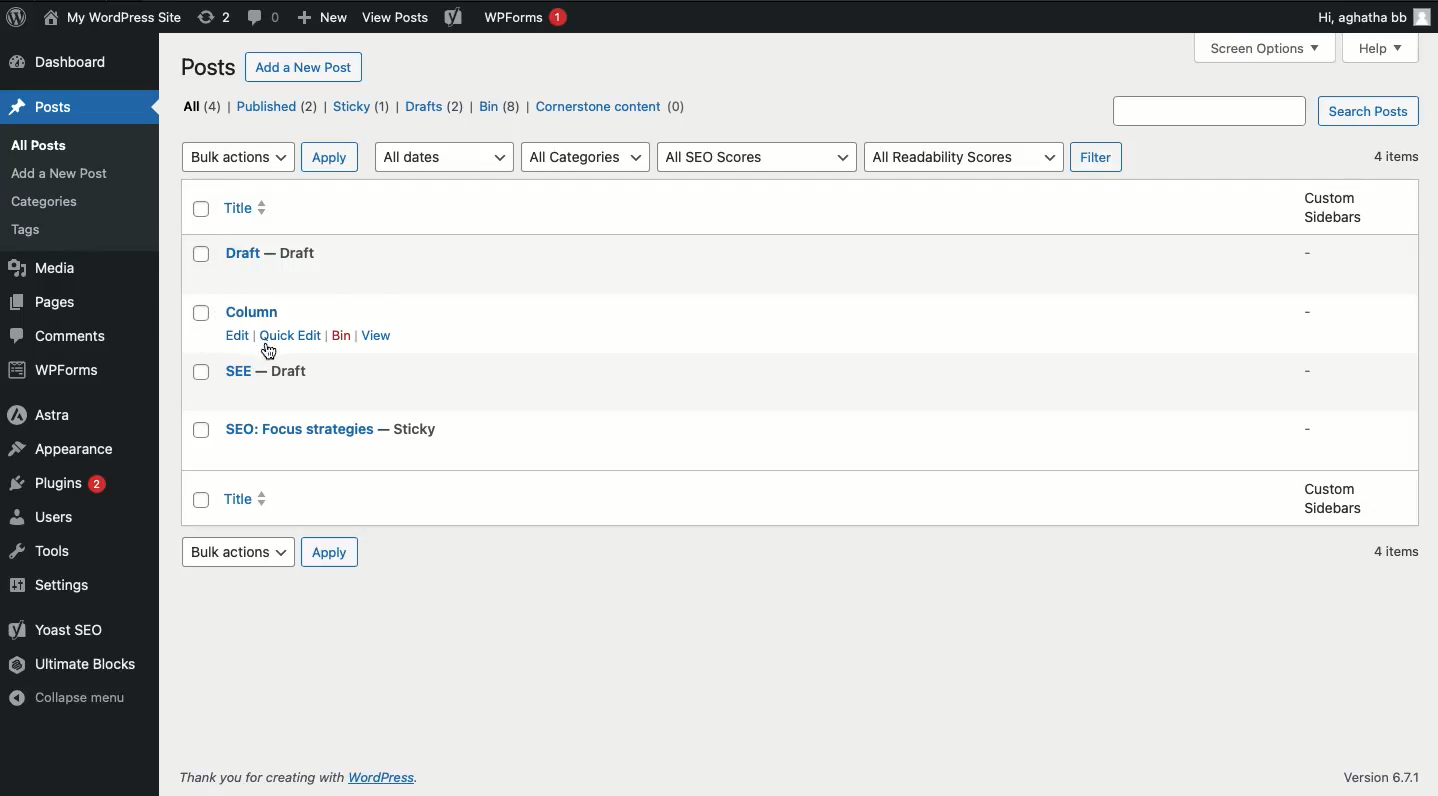  What do you see at coordinates (528, 19) in the screenshot?
I see `WPForms` at bounding box center [528, 19].